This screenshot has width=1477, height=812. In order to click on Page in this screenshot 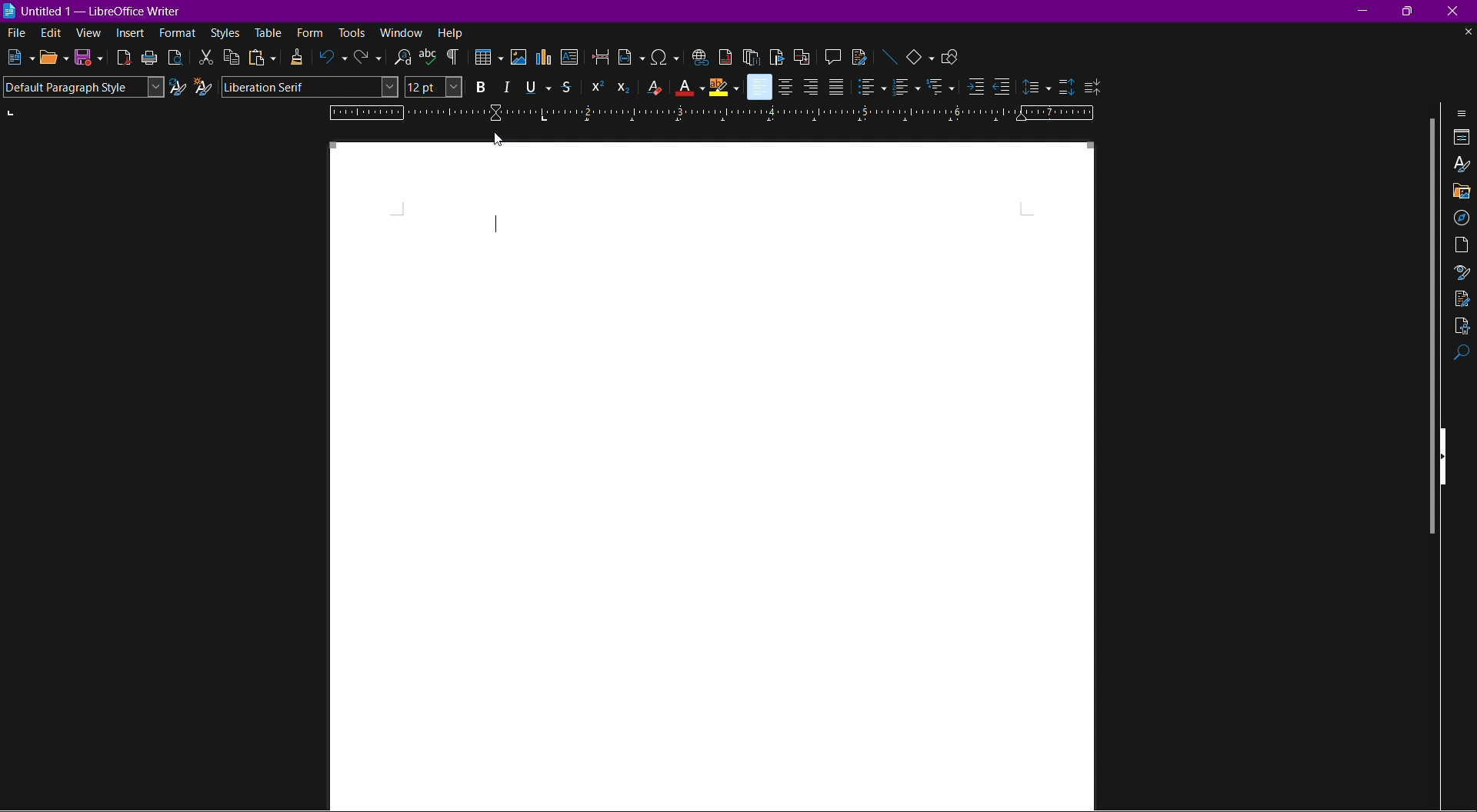, I will do `click(800, 478)`.